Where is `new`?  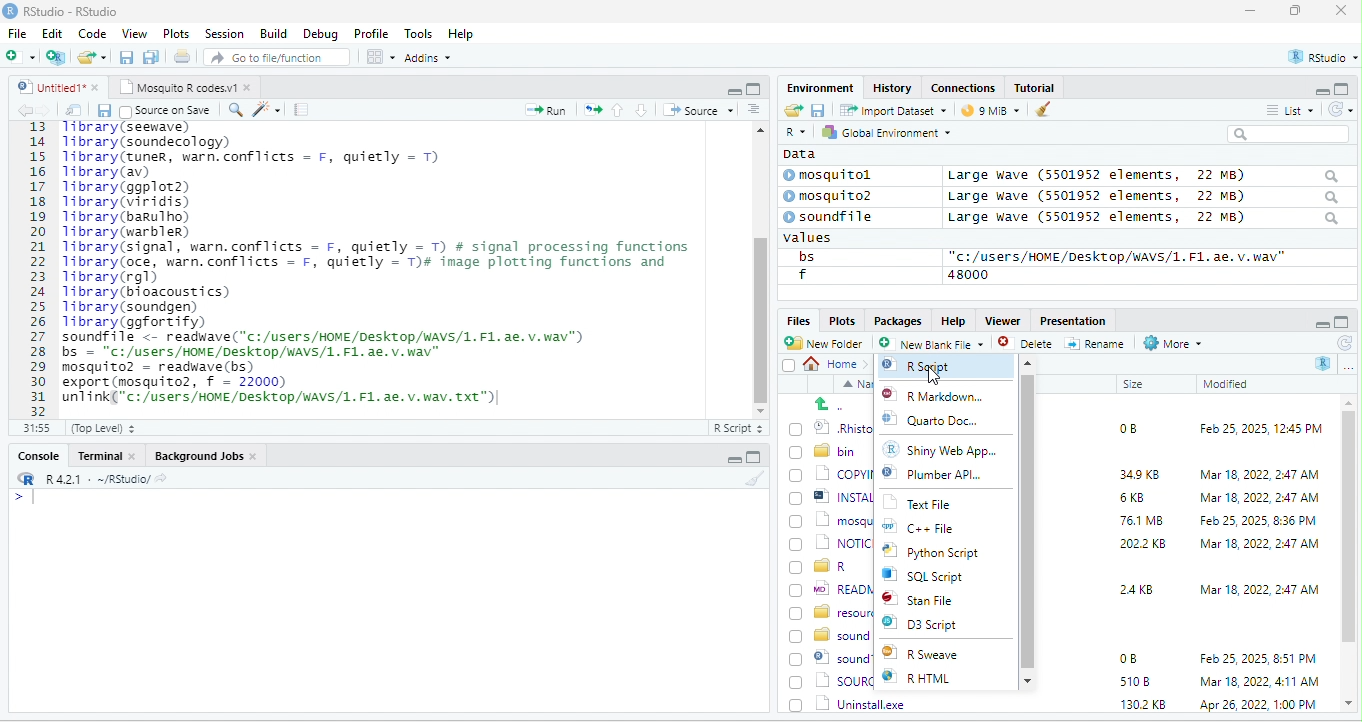 new is located at coordinates (20, 55).